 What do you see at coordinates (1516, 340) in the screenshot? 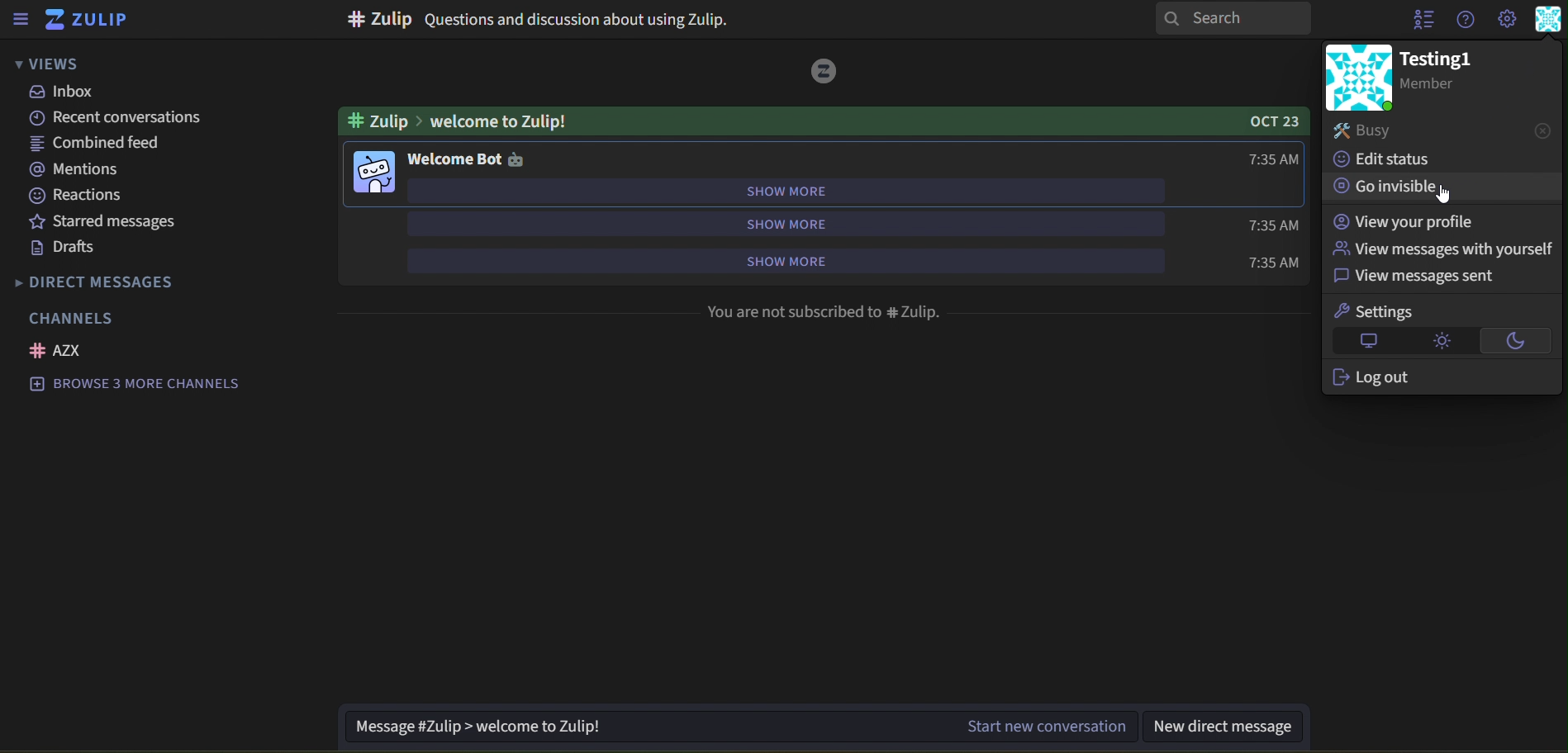
I see `dark theme` at bounding box center [1516, 340].